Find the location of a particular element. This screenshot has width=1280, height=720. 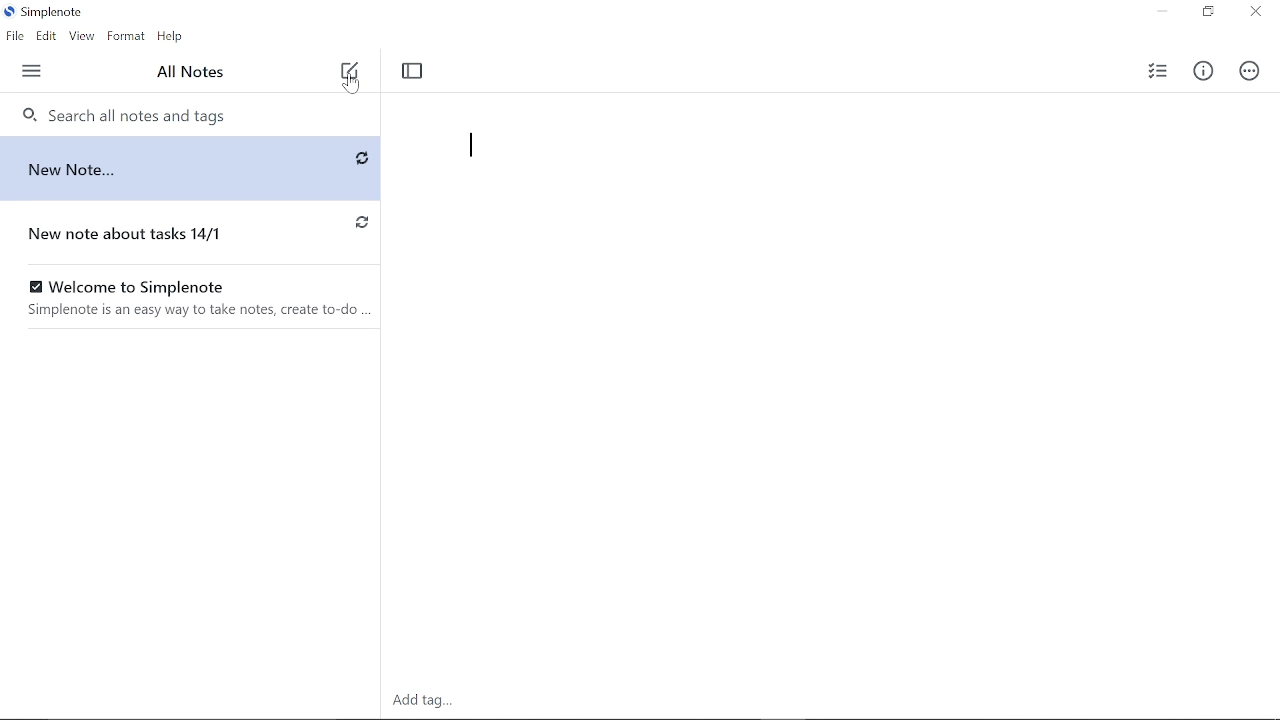

Note titled "Welcome to Simplenote" is located at coordinates (191, 298).